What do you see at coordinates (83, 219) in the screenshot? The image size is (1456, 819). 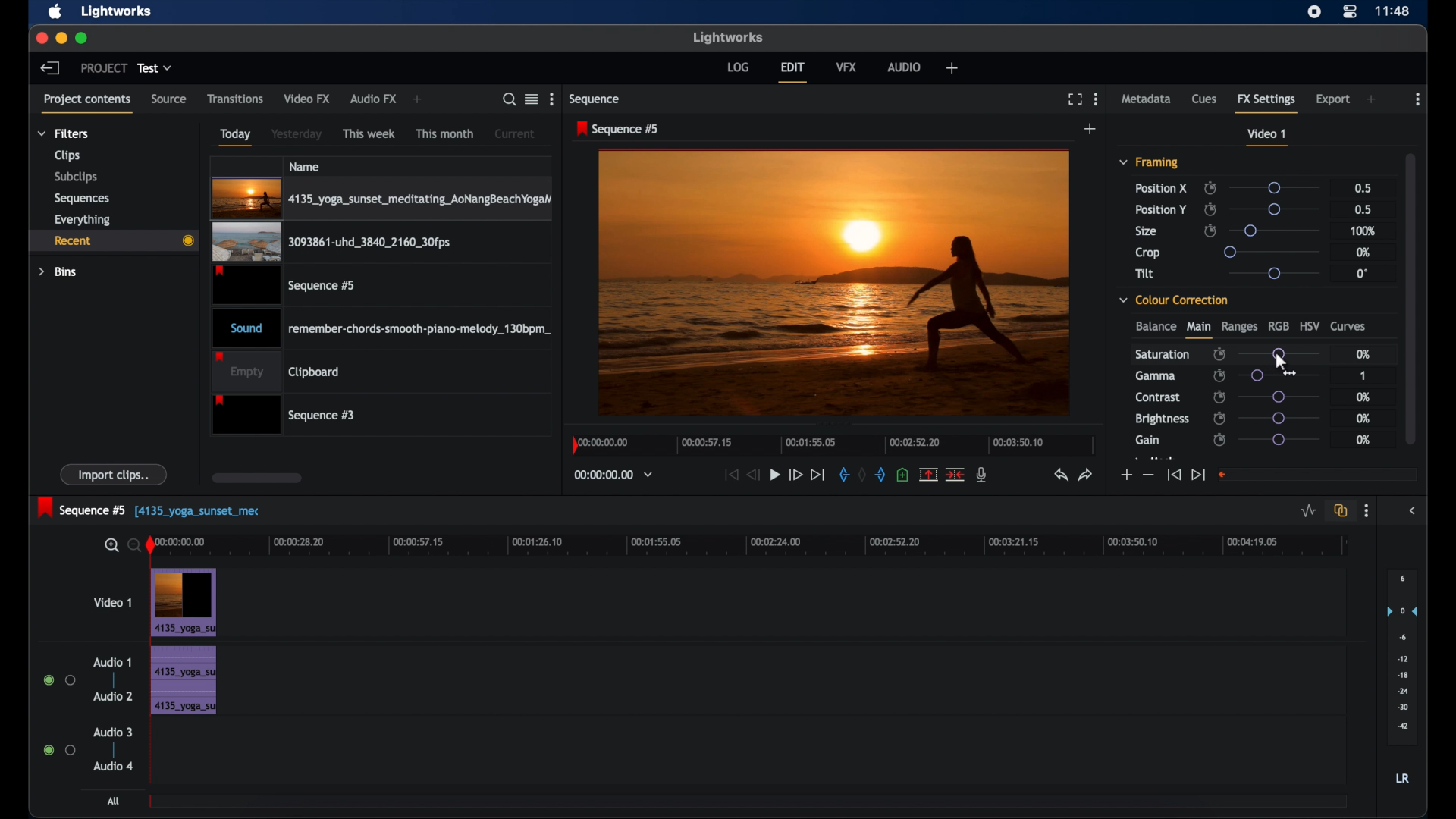 I see `everything` at bounding box center [83, 219].